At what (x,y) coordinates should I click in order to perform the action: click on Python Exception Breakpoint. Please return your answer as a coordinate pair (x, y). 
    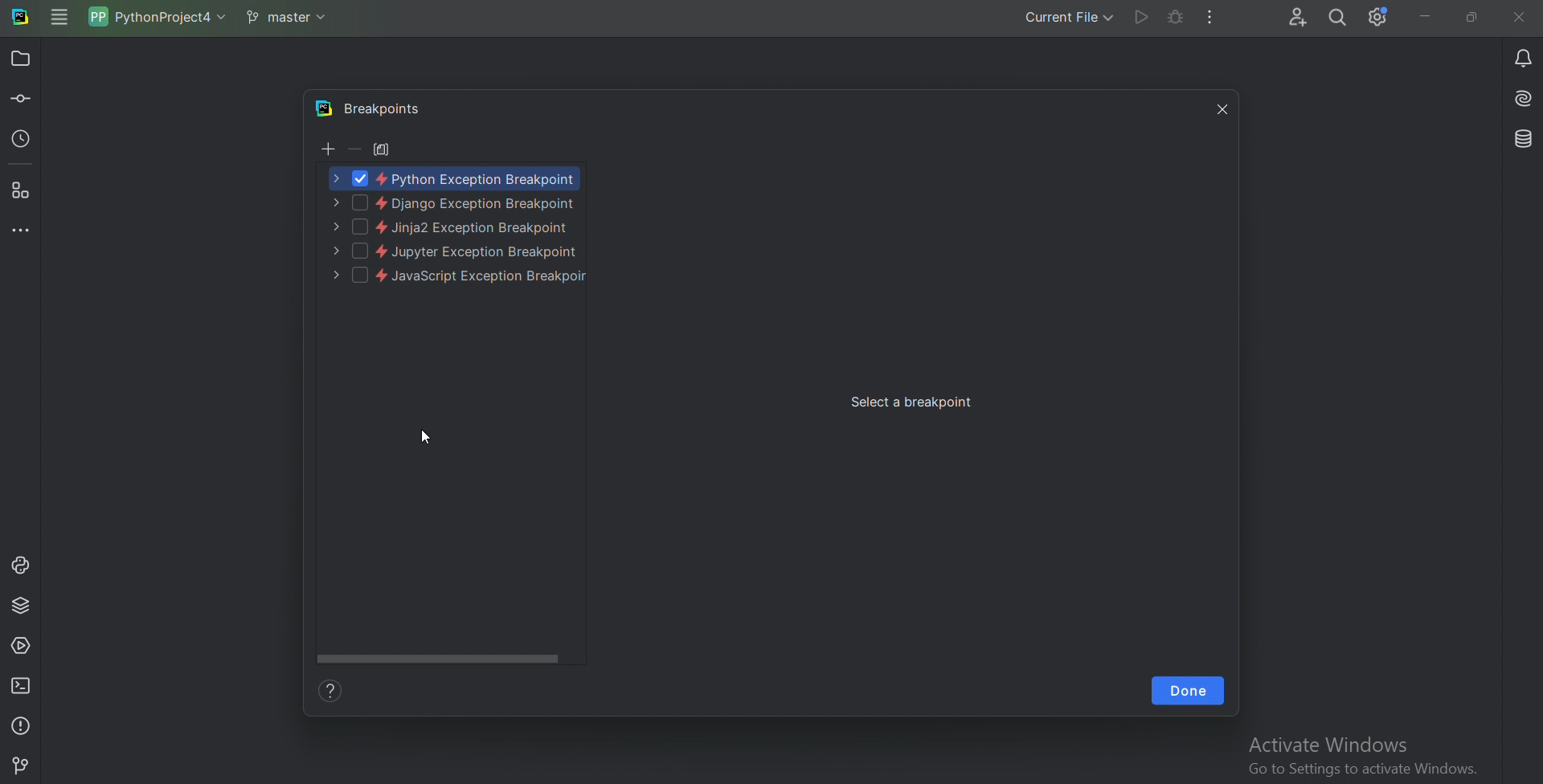
    Looking at the image, I should click on (455, 178).